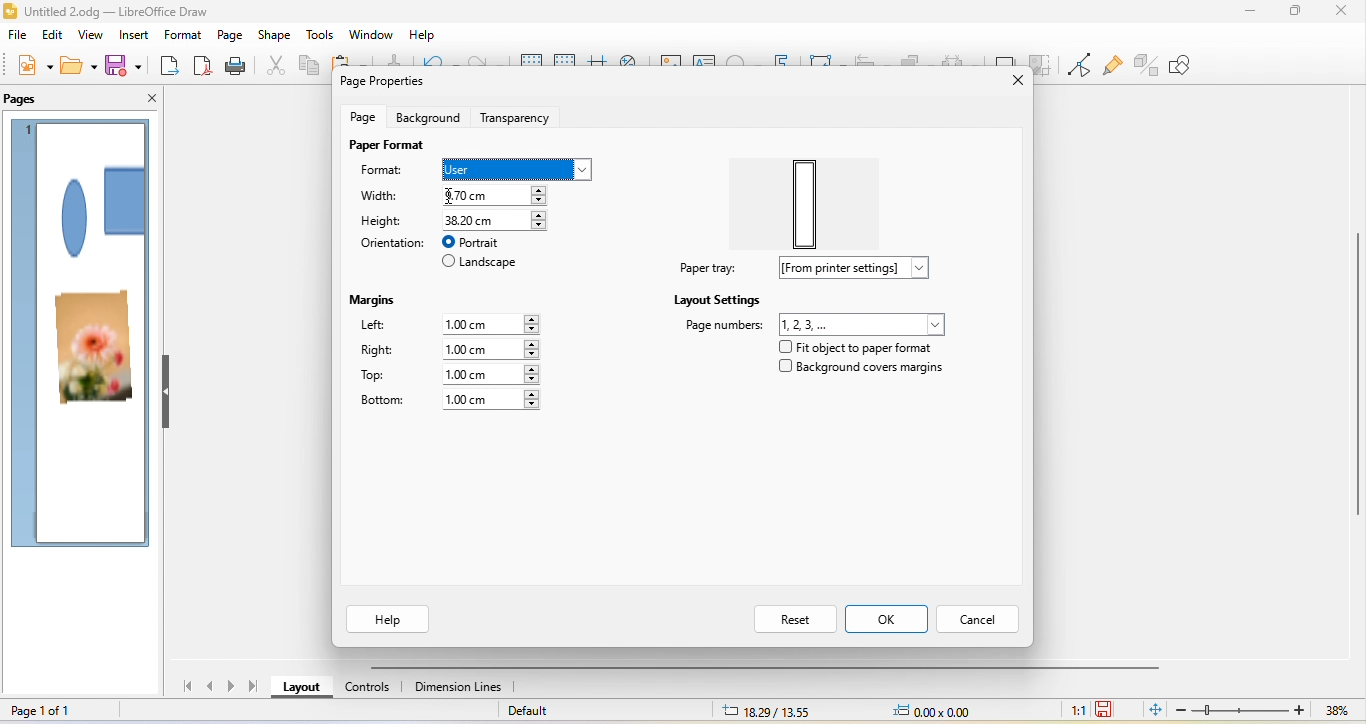  I want to click on background covers margins, so click(868, 371).